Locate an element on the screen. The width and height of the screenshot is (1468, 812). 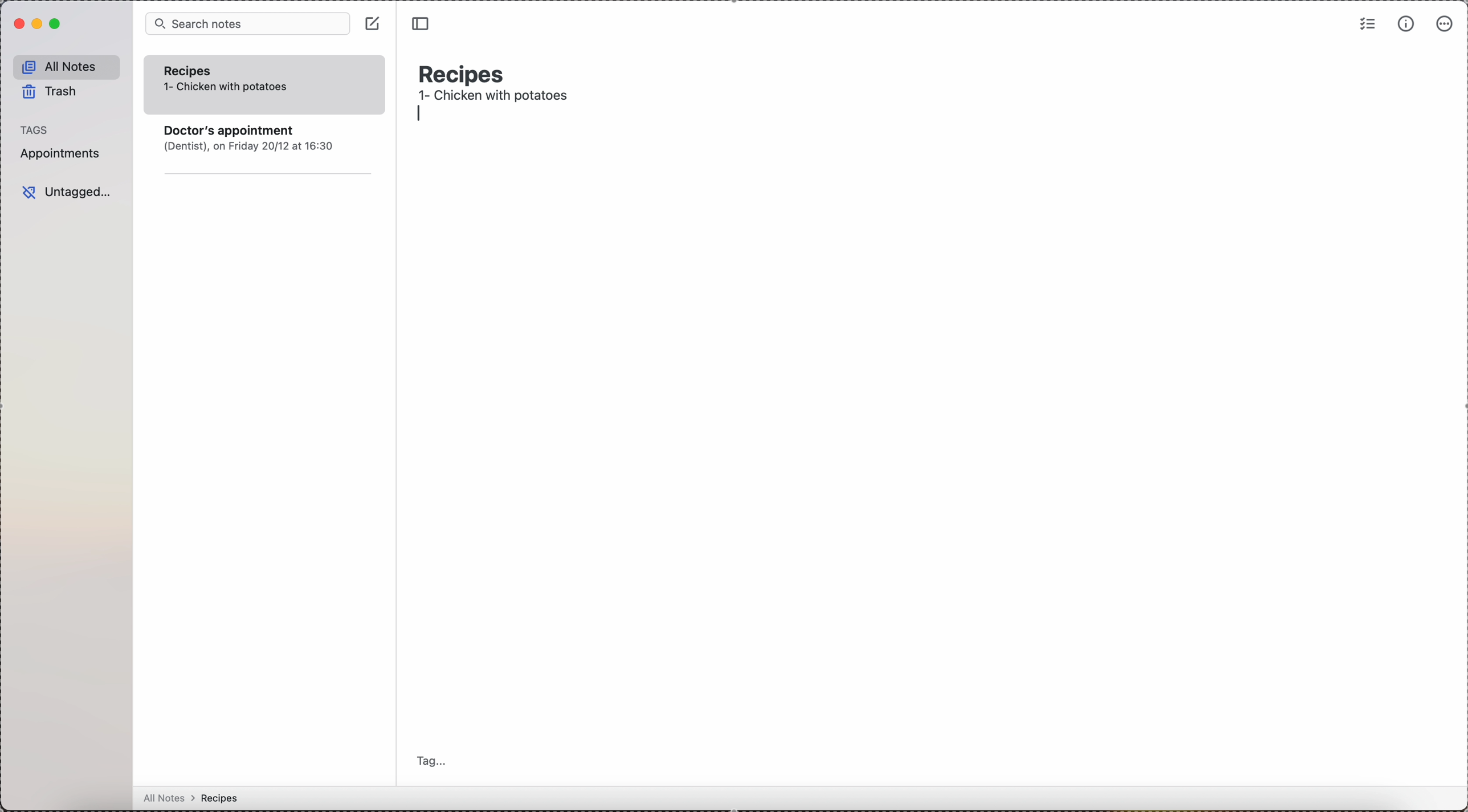
tag is located at coordinates (437, 761).